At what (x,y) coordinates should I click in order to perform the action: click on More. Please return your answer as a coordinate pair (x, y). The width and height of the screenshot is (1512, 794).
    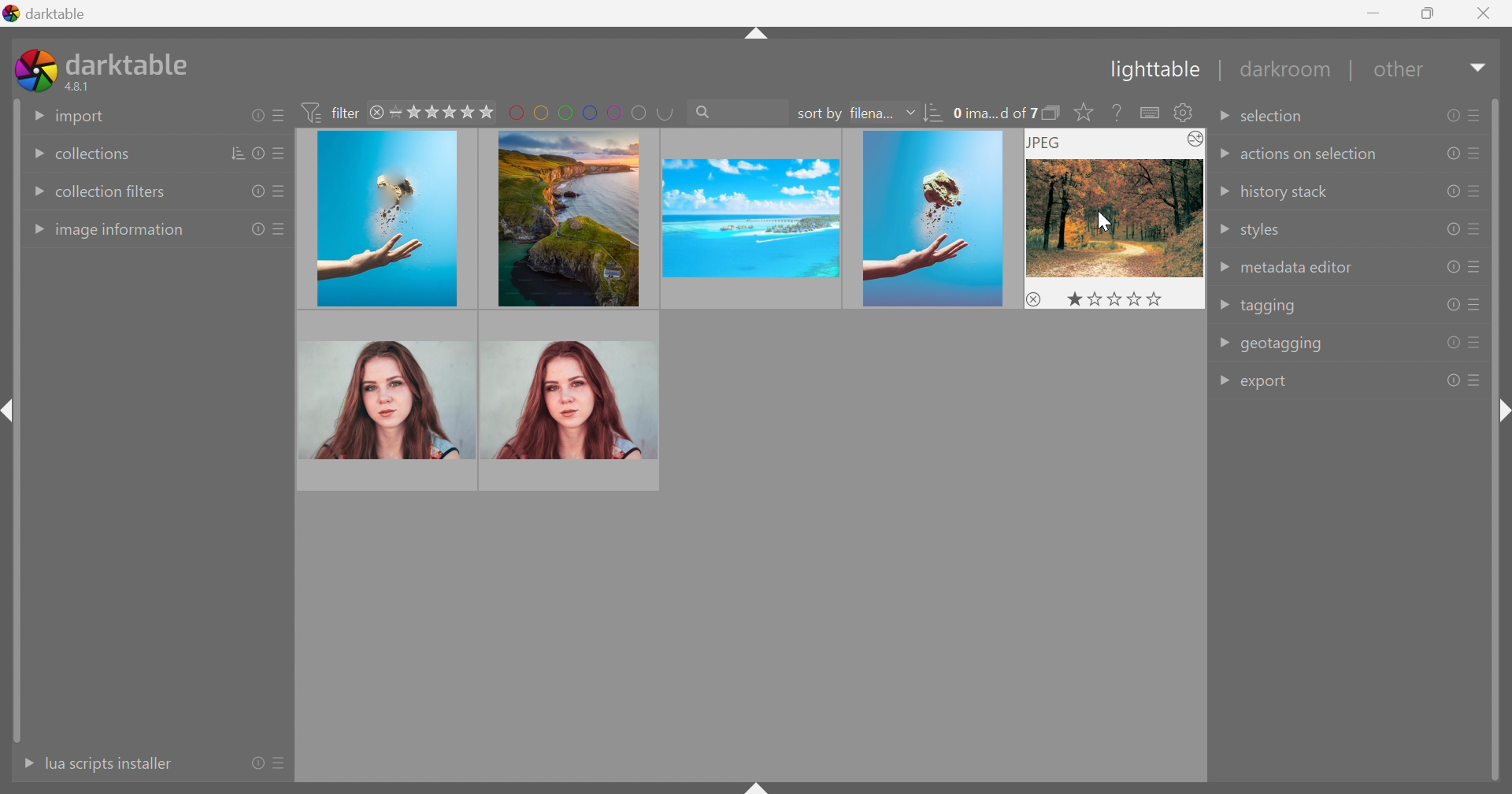
    Looking at the image, I should click on (23, 763).